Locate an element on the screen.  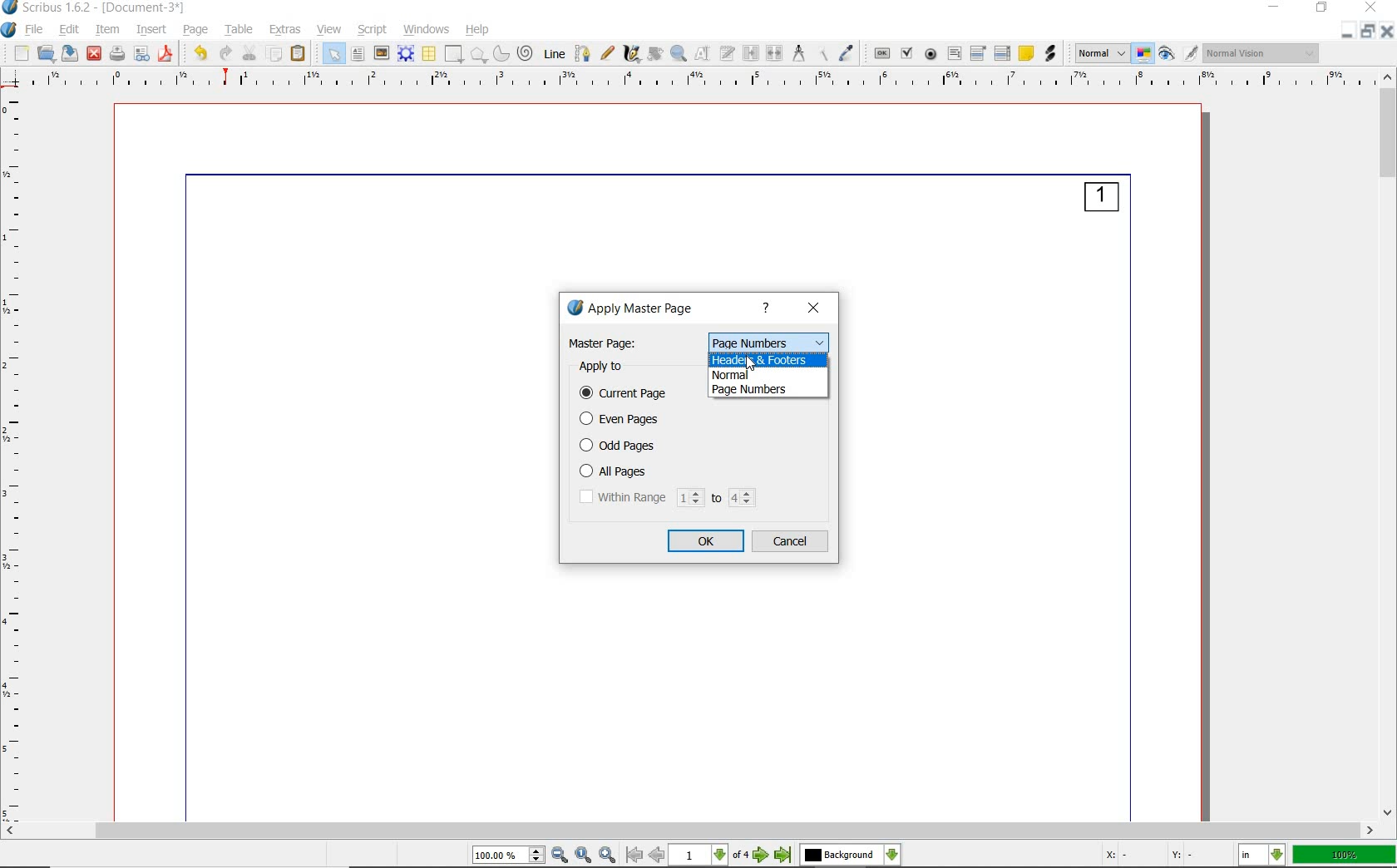
pdf combo box is located at coordinates (979, 54).